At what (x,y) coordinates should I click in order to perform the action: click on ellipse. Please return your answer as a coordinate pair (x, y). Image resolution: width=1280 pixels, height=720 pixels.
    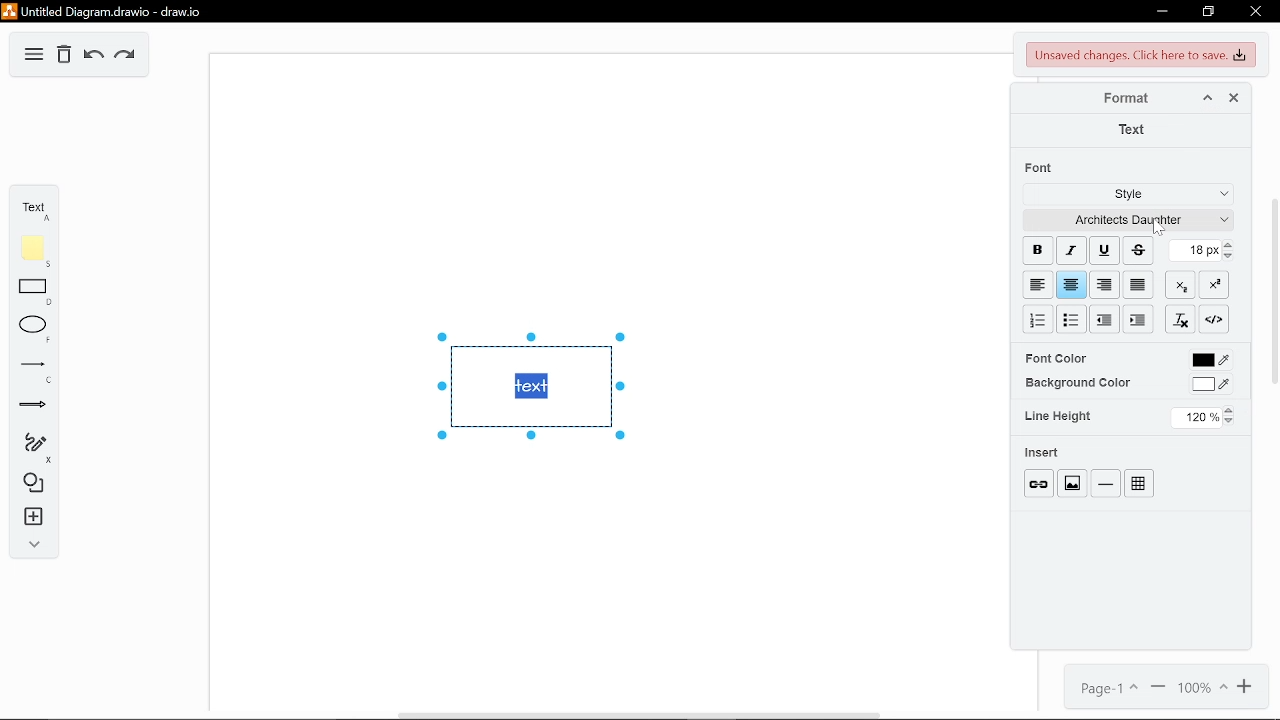
    Looking at the image, I should click on (30, 330).